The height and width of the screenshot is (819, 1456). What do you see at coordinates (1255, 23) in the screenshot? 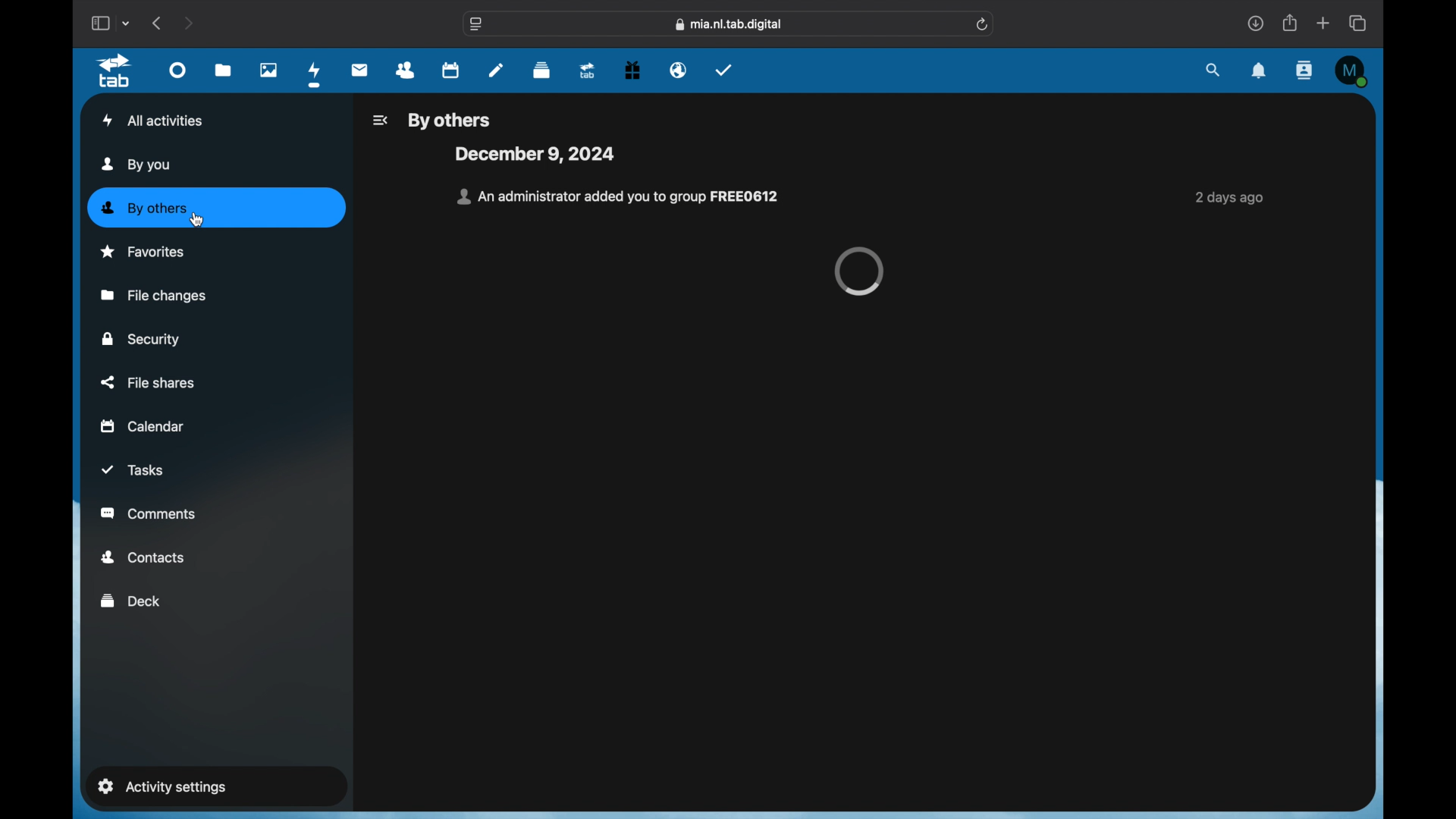
I see `downloads` at bounding box center [1255, 23].